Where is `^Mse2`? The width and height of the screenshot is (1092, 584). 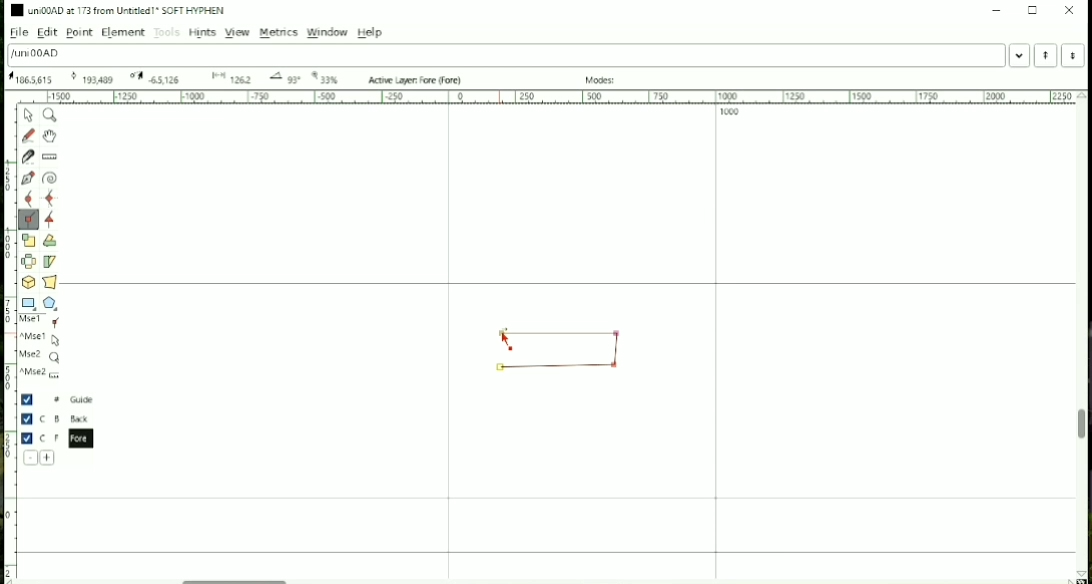
^Mse2 is located at coordinates (42, 374).